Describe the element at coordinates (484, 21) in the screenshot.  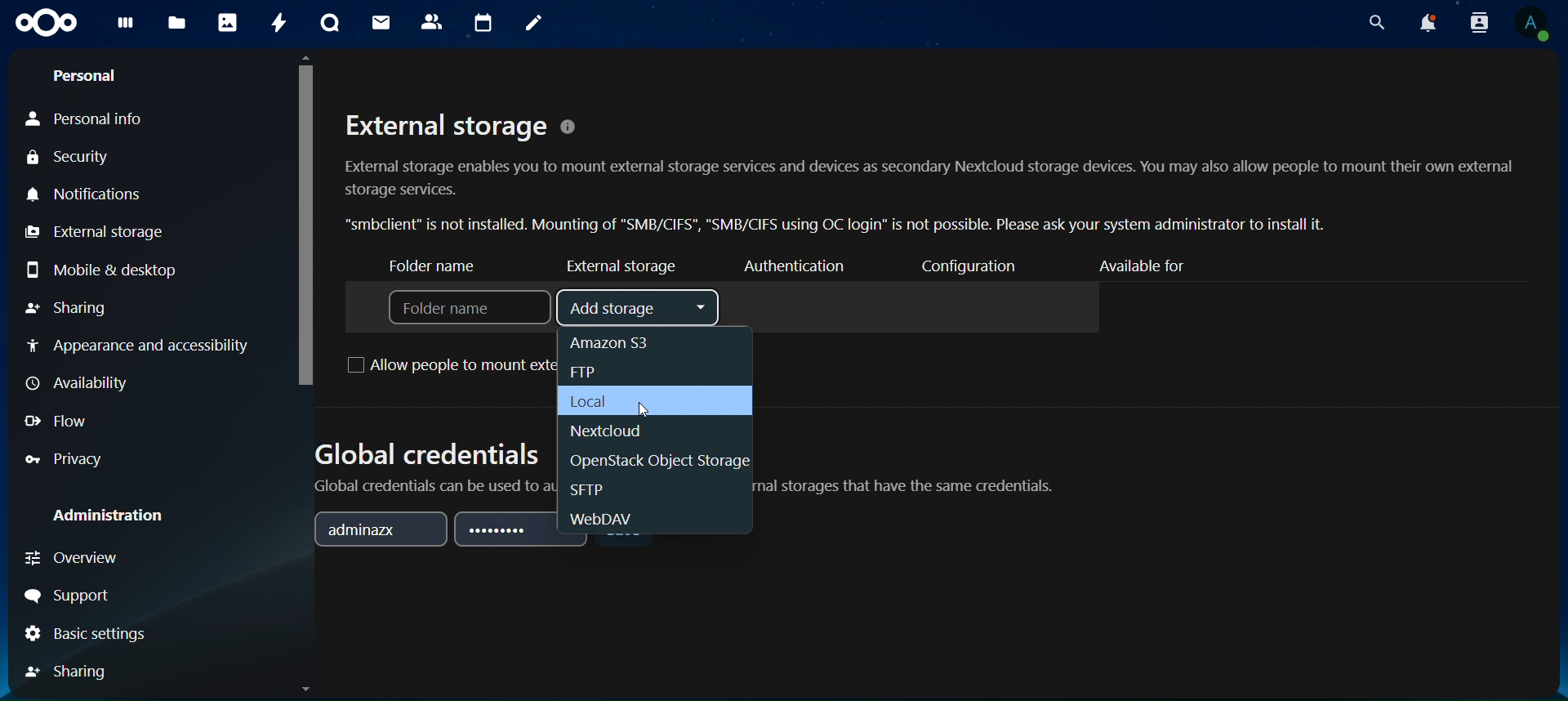
I see `calendar` at that location.